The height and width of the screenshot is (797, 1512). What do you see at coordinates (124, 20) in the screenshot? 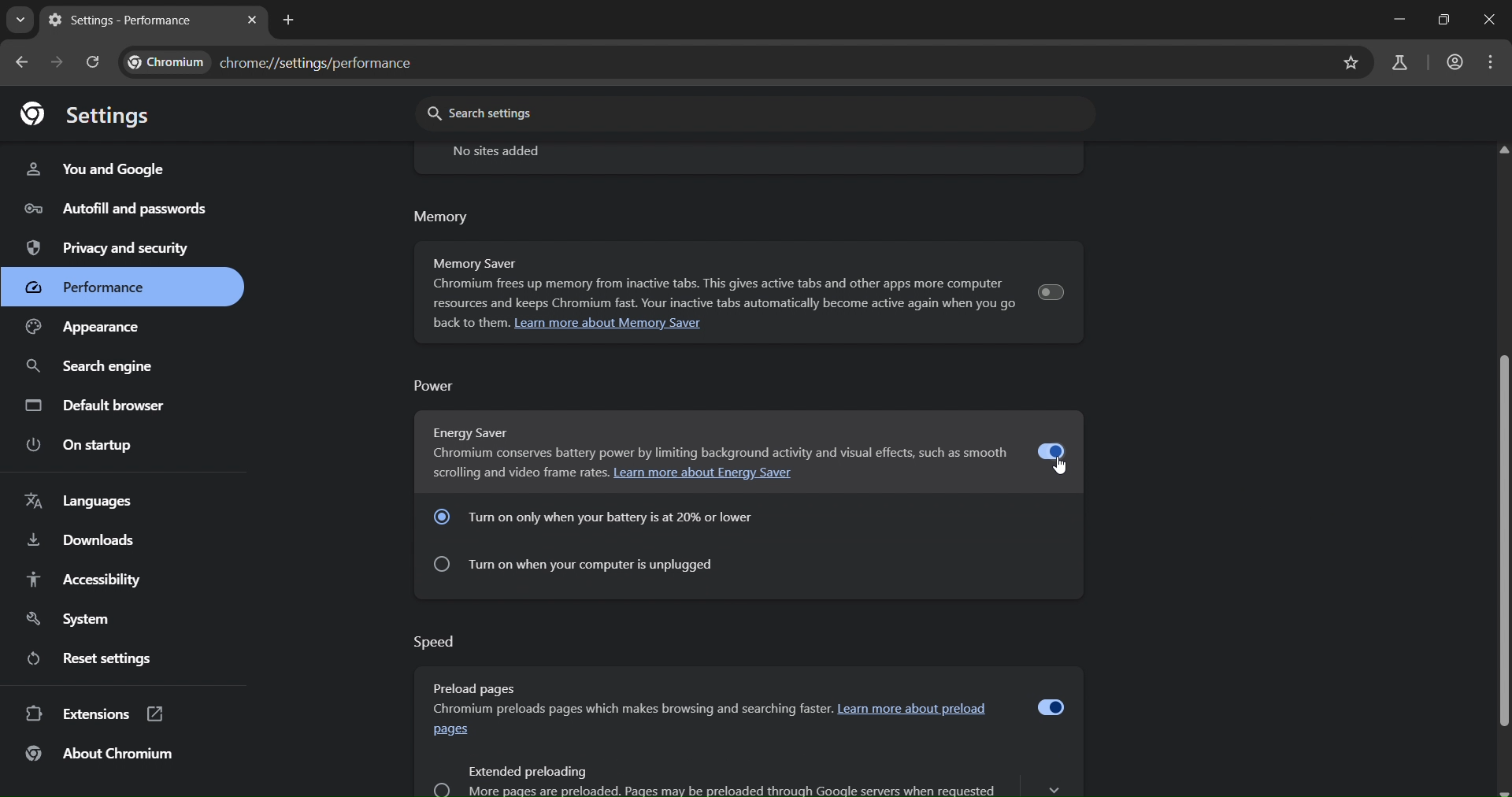
I see `settings - performace` at bounding box center [124, 20].